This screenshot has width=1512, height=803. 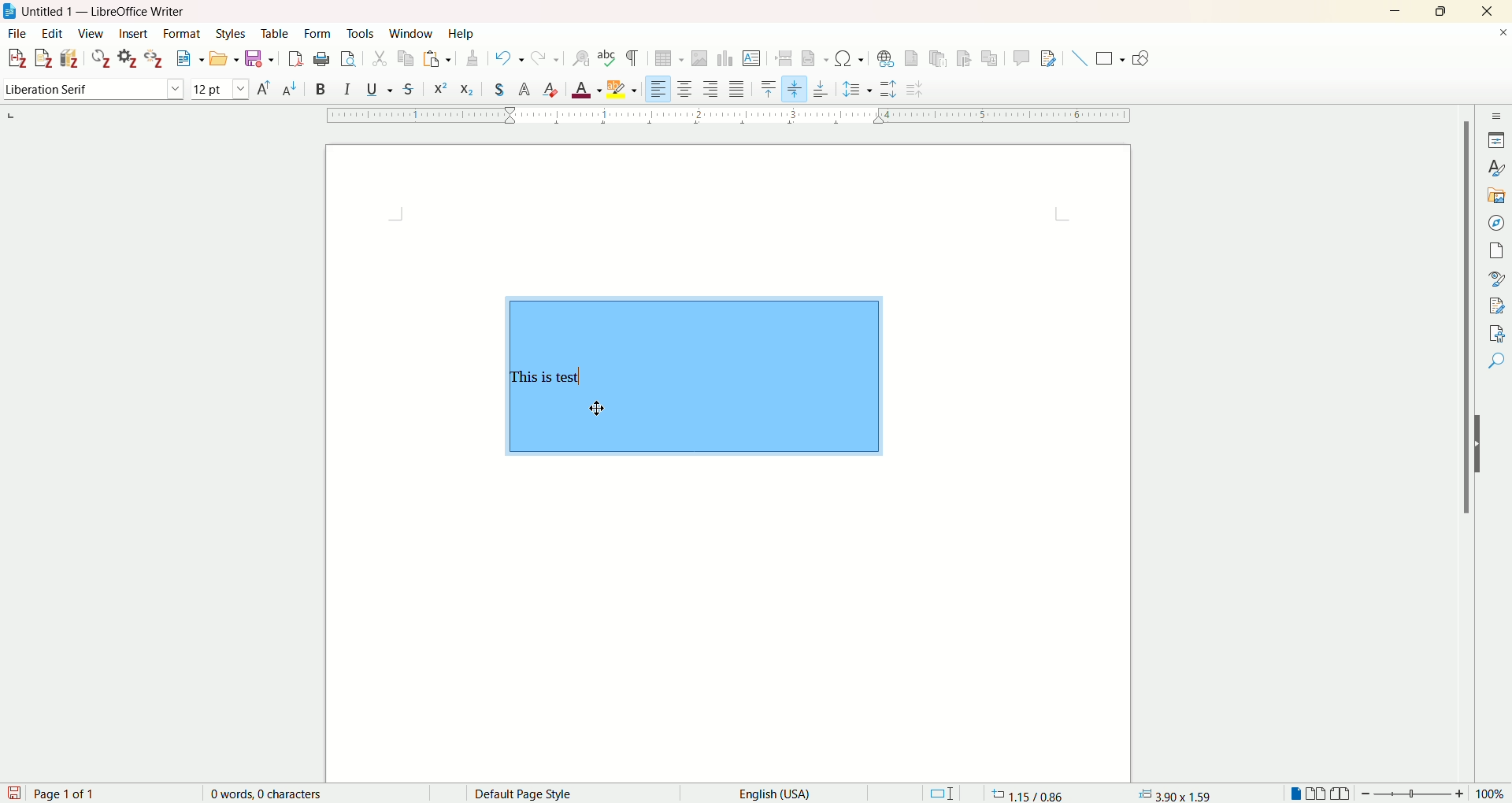 What do you see at coordinates (118, 10) in the screenshot?
I see `Untitled 1 - LibreOffice Writer` at bounding box center [118, 10].